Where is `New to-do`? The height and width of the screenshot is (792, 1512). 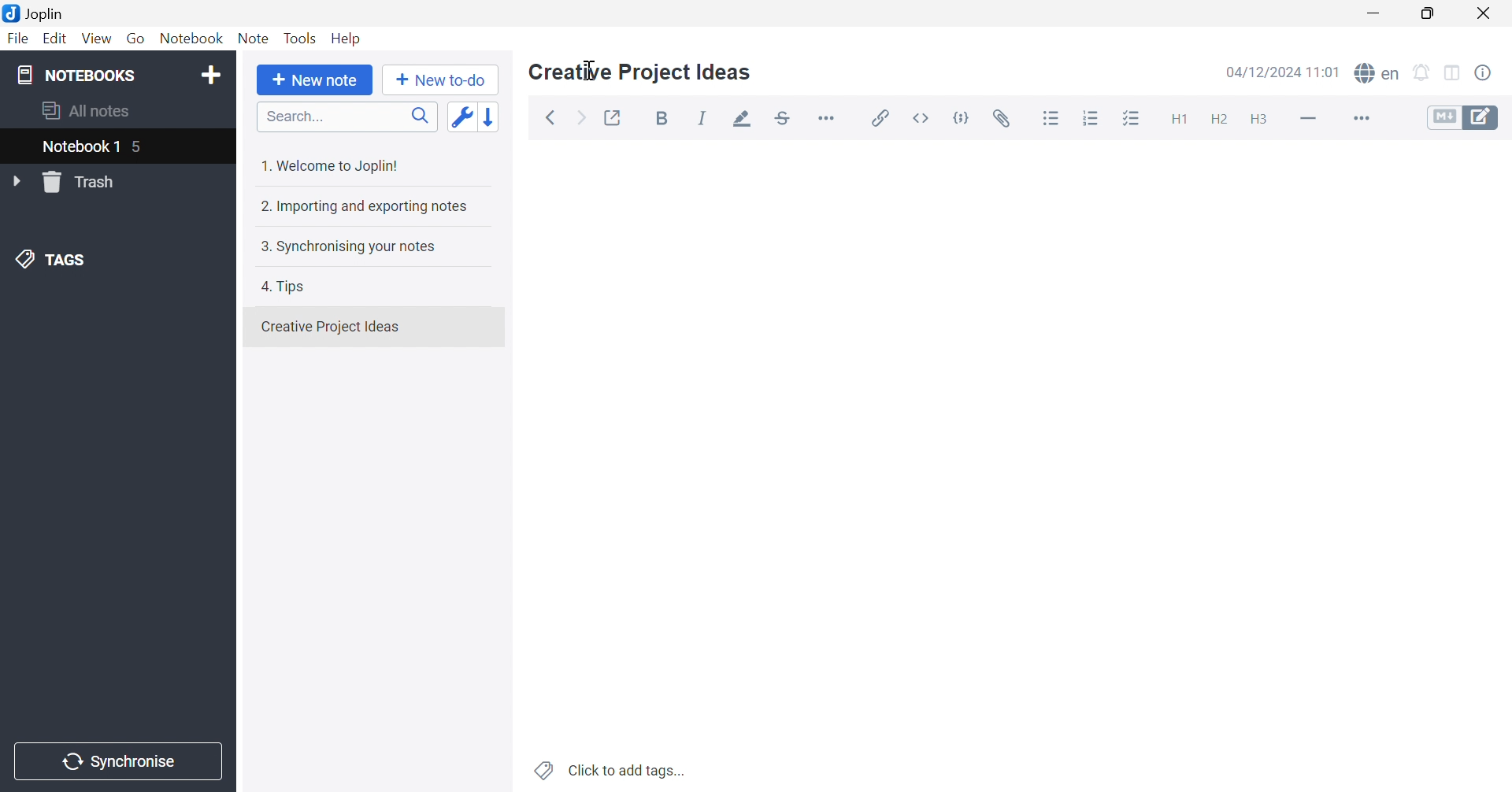
New to-do is located at coordinates (442, 80).